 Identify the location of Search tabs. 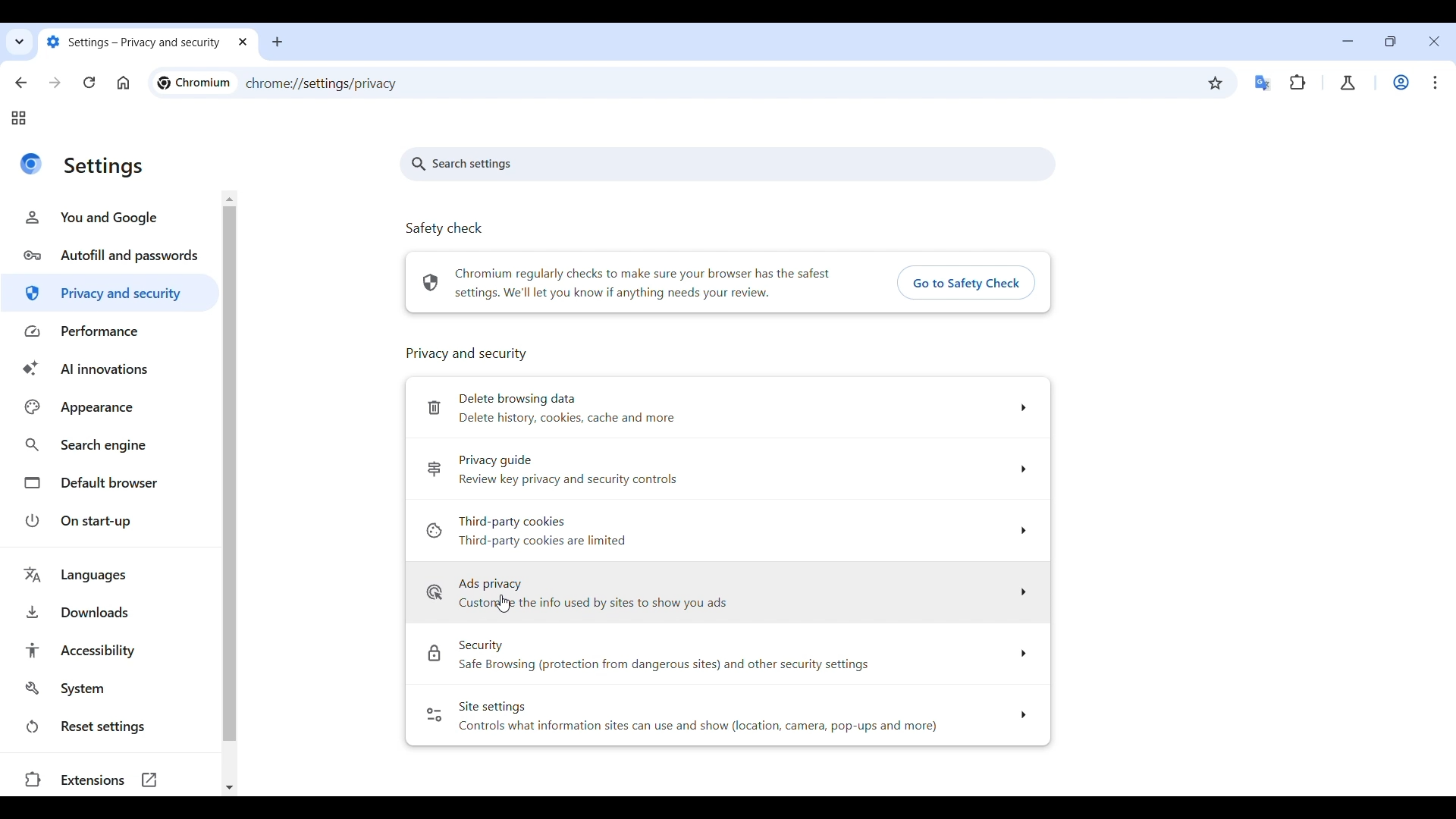
(20, 42).